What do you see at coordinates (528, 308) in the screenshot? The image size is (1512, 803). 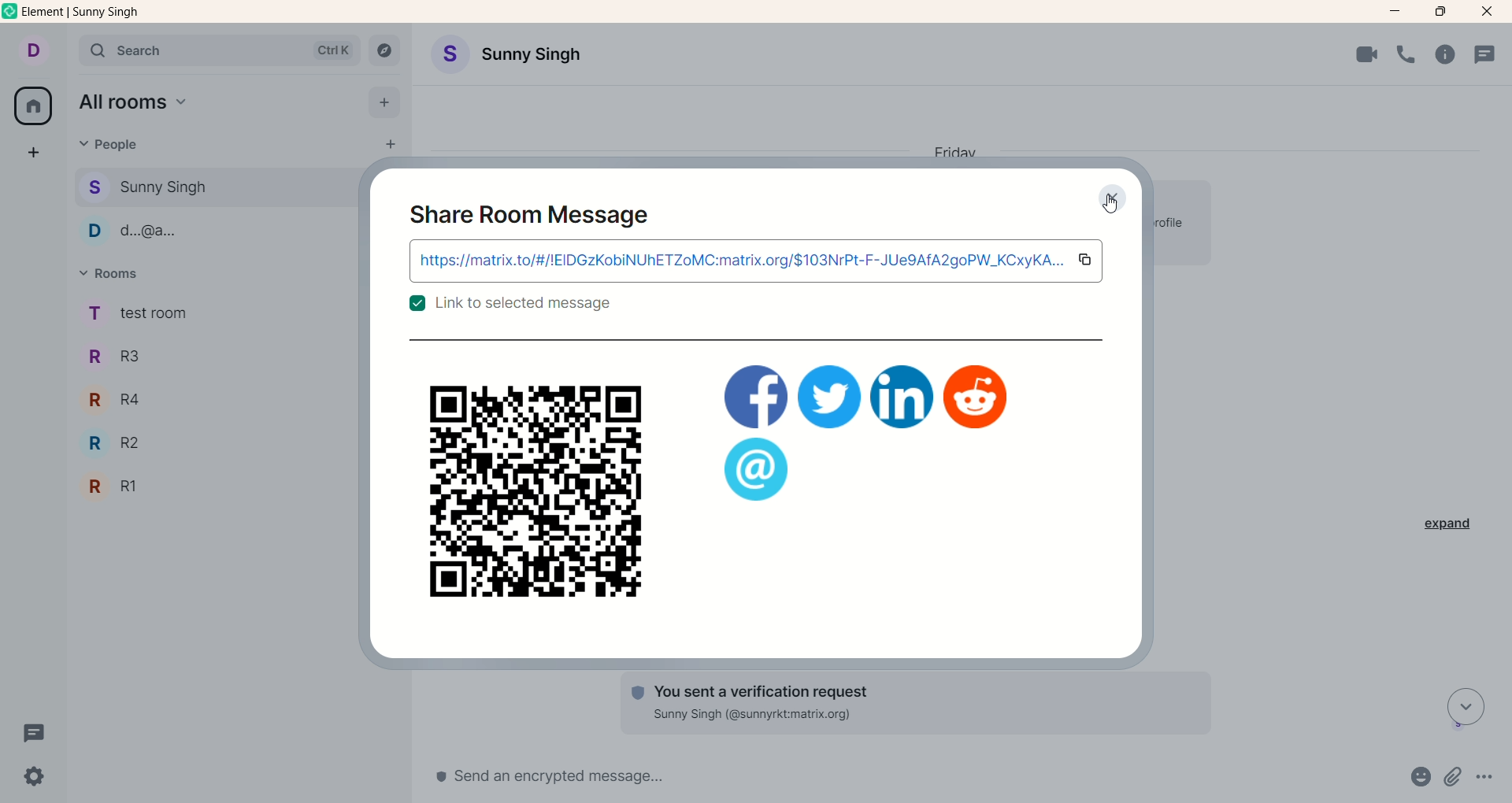 I see `text` at bounding box center [528, 308].